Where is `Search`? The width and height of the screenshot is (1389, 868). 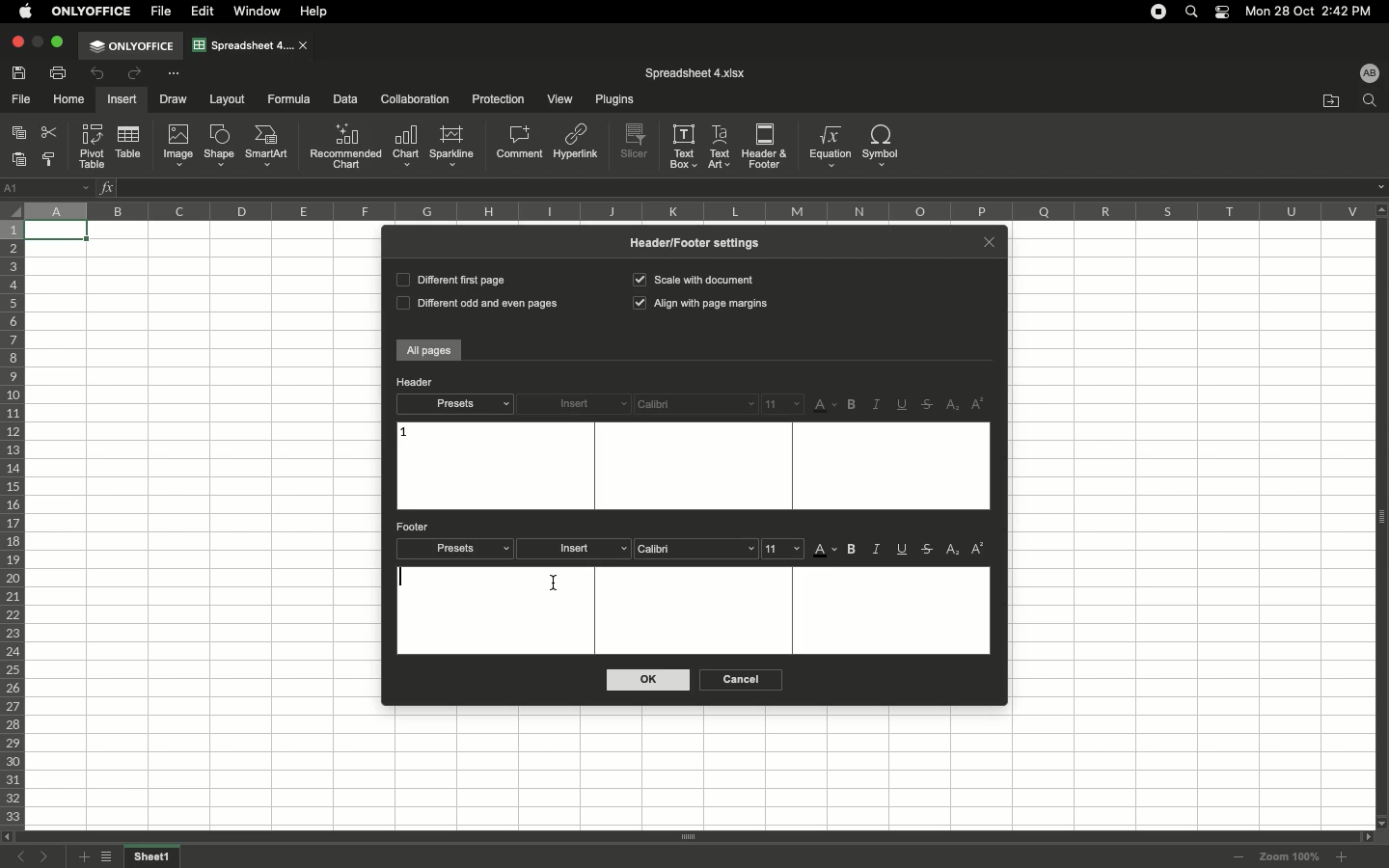
Search is located at coordinates (1194, 11).